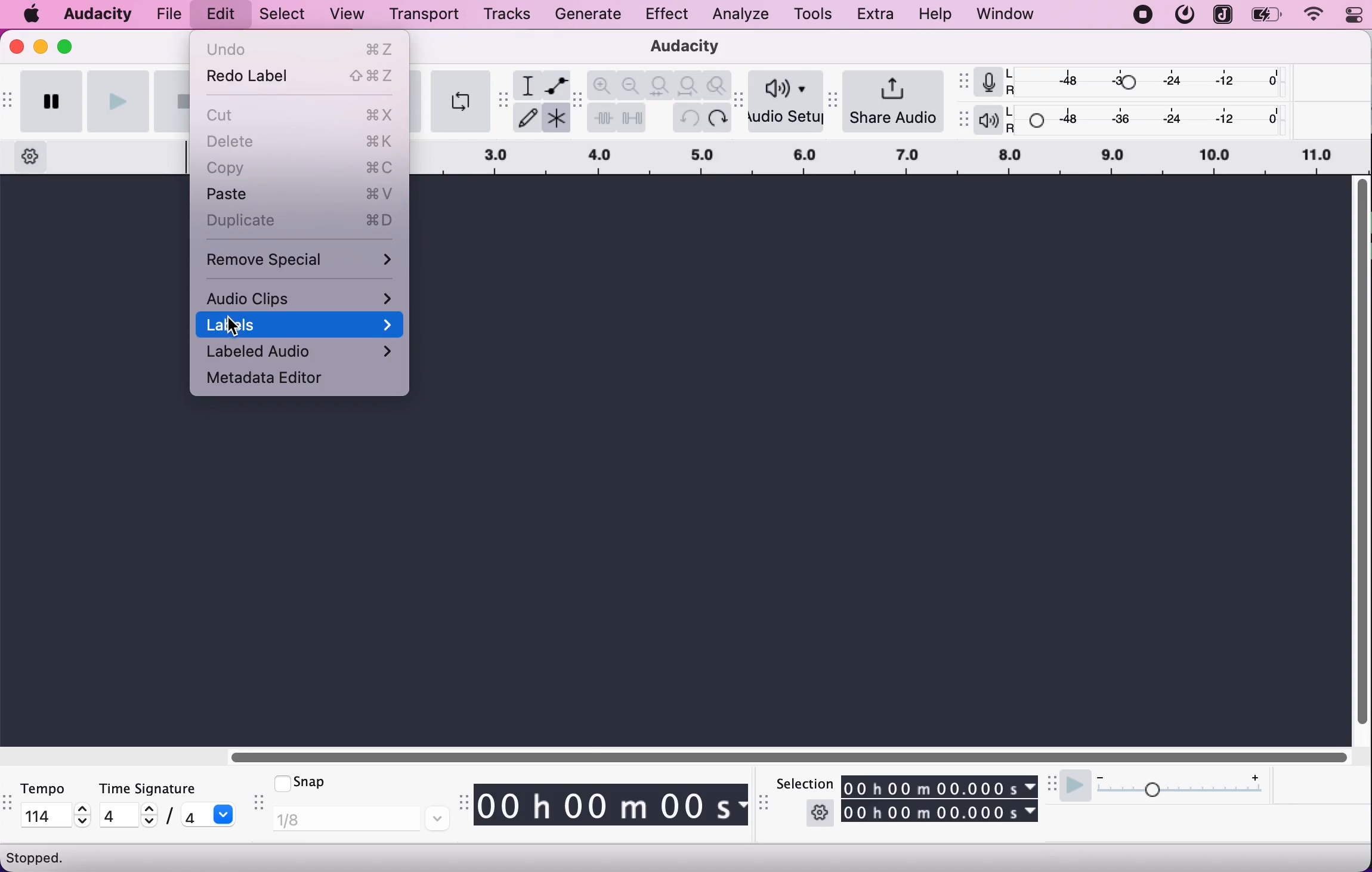 This screenshot has height=872, width=1372. I want to click on zoom out, so click(632, 84).